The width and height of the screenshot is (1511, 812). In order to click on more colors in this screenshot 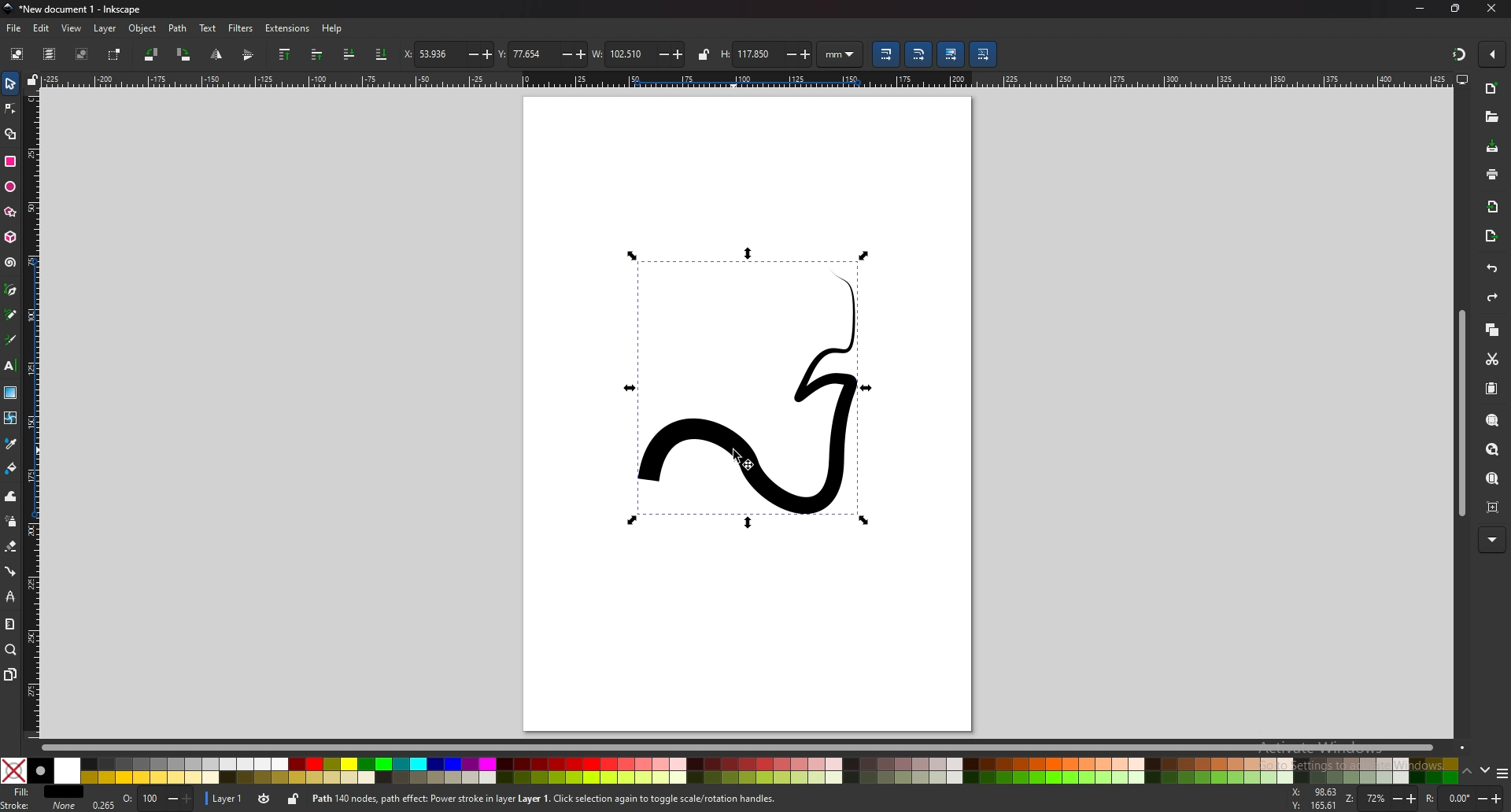, I will do `click(1502, 773)`.